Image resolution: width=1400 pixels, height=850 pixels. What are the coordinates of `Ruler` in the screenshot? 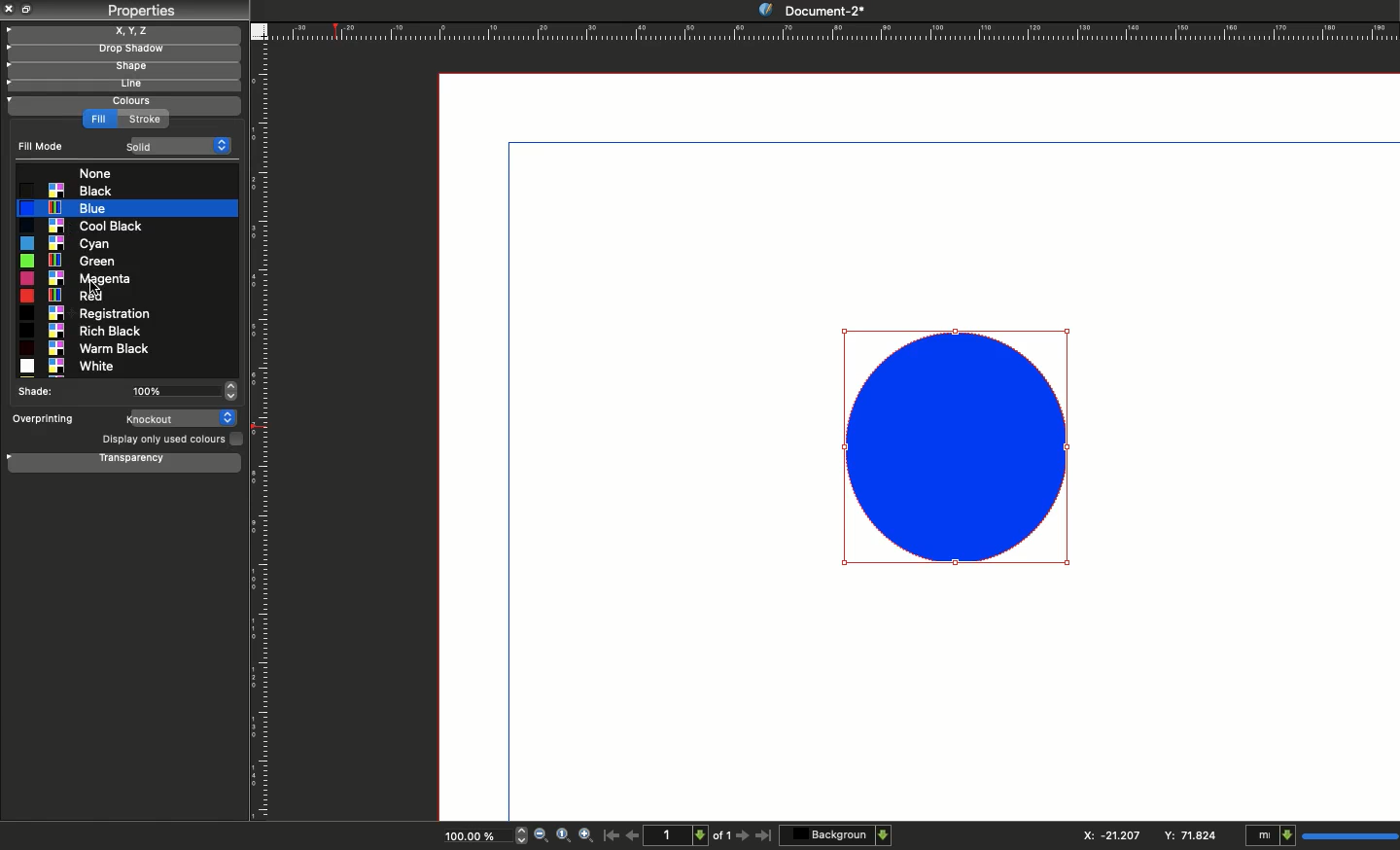 It's located at (833, 31).